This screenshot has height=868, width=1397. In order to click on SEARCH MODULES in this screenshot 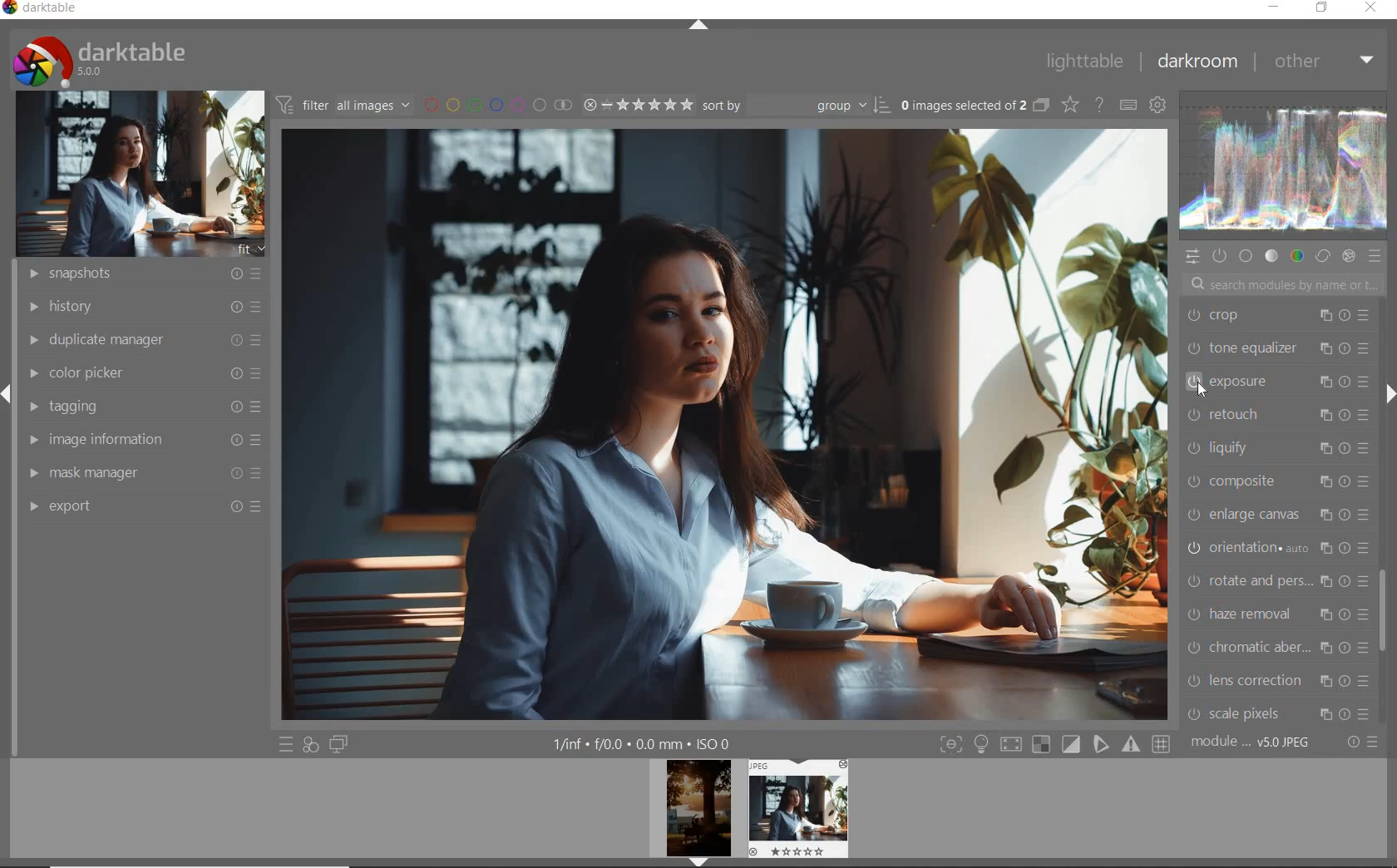, I will do `click(1283, 284)`.